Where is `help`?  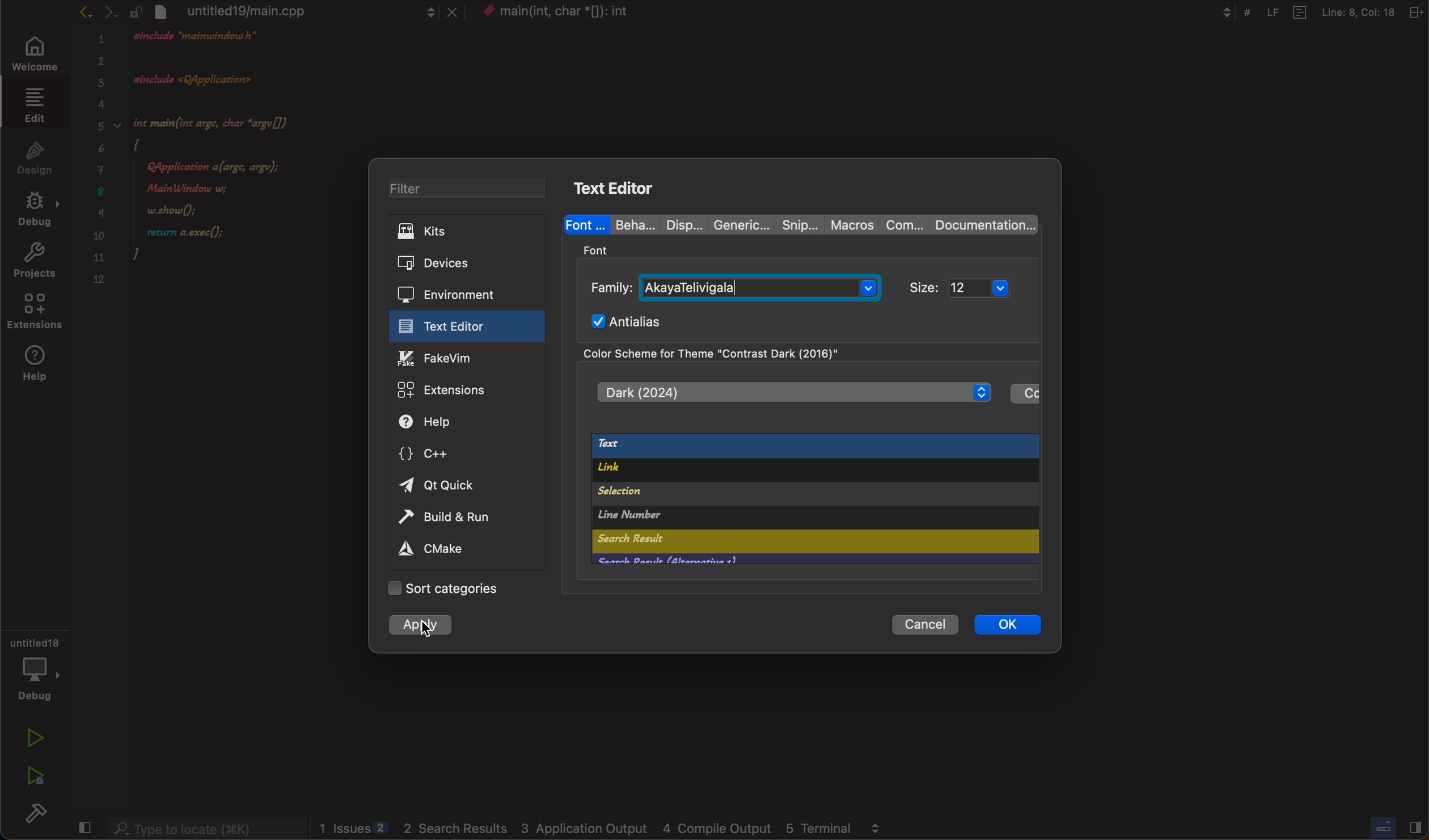 help is located at coordinates (450, 422).